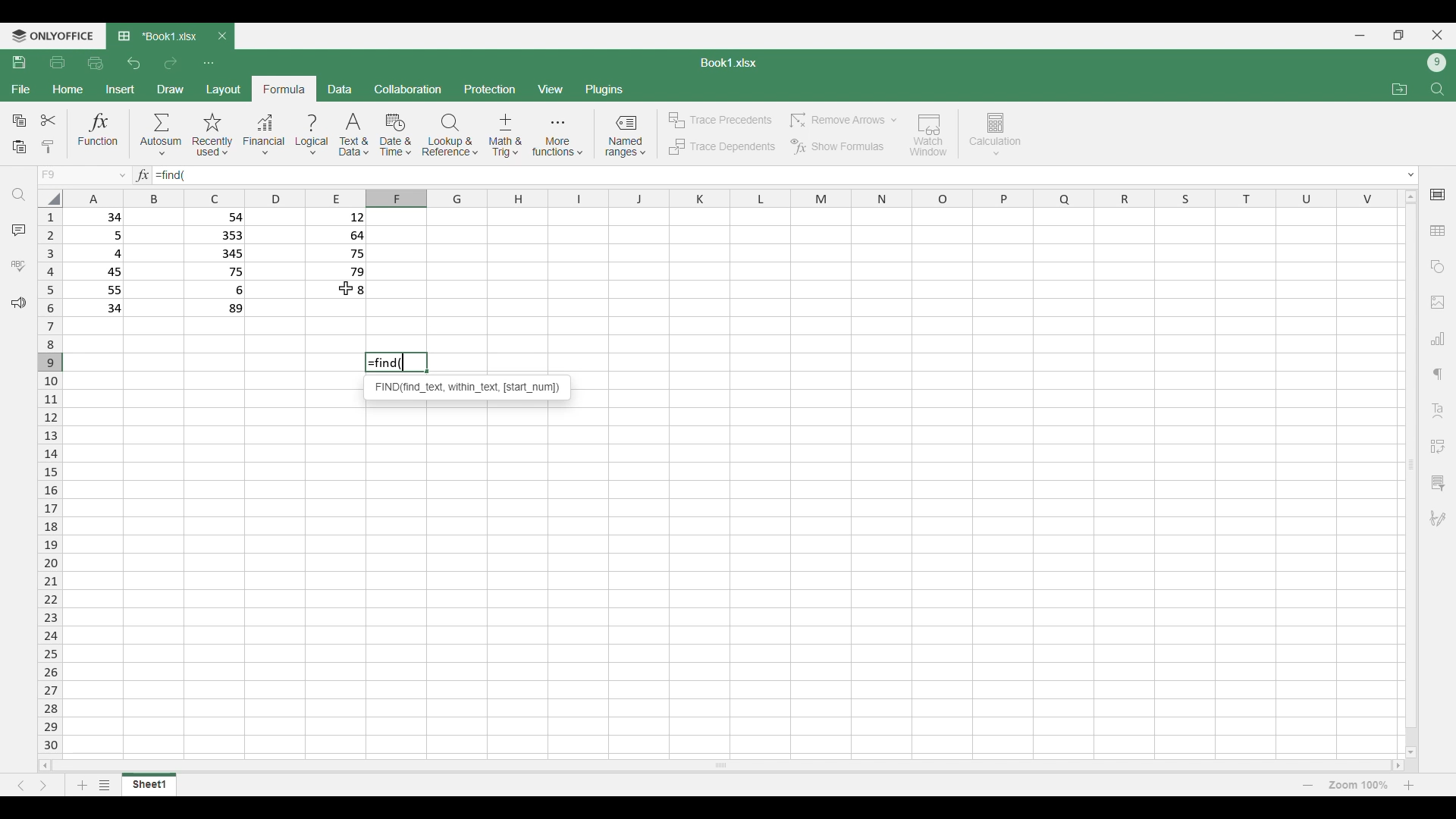 This screenshot has width=1456, height=819. I want to click on Spell check, so click(18, 265).